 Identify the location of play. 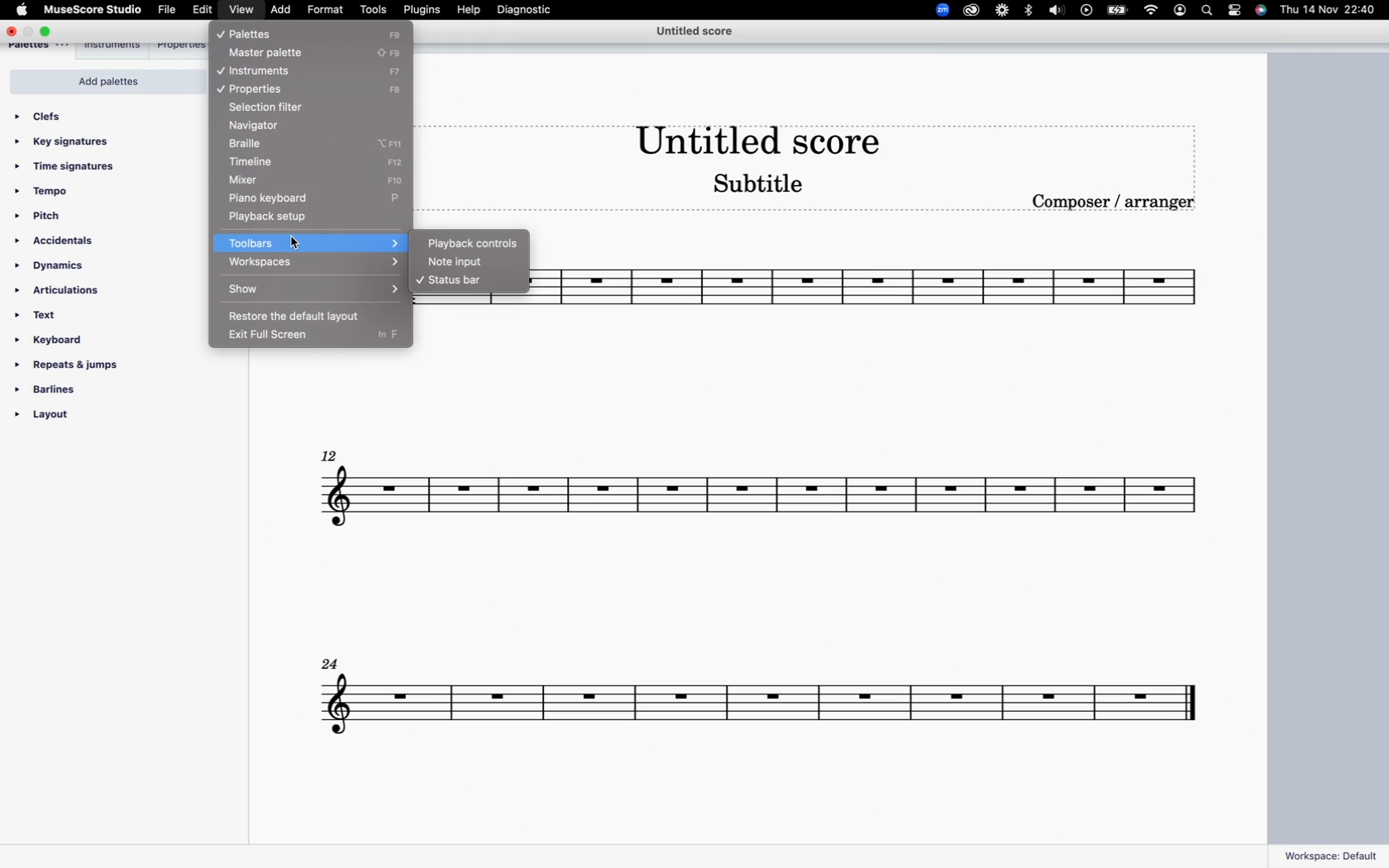
(1087, 11).